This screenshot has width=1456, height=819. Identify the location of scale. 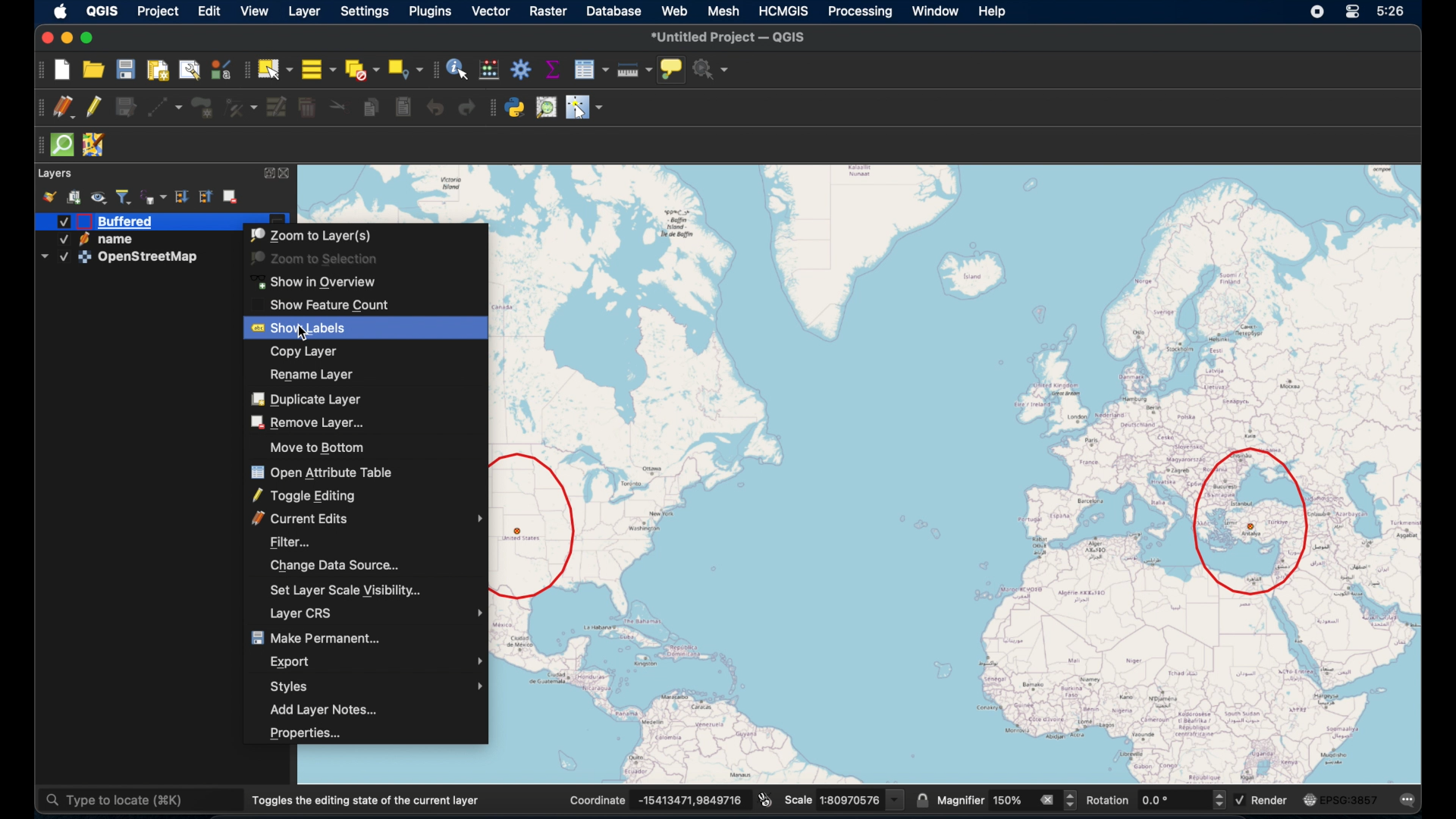
(798, 800).